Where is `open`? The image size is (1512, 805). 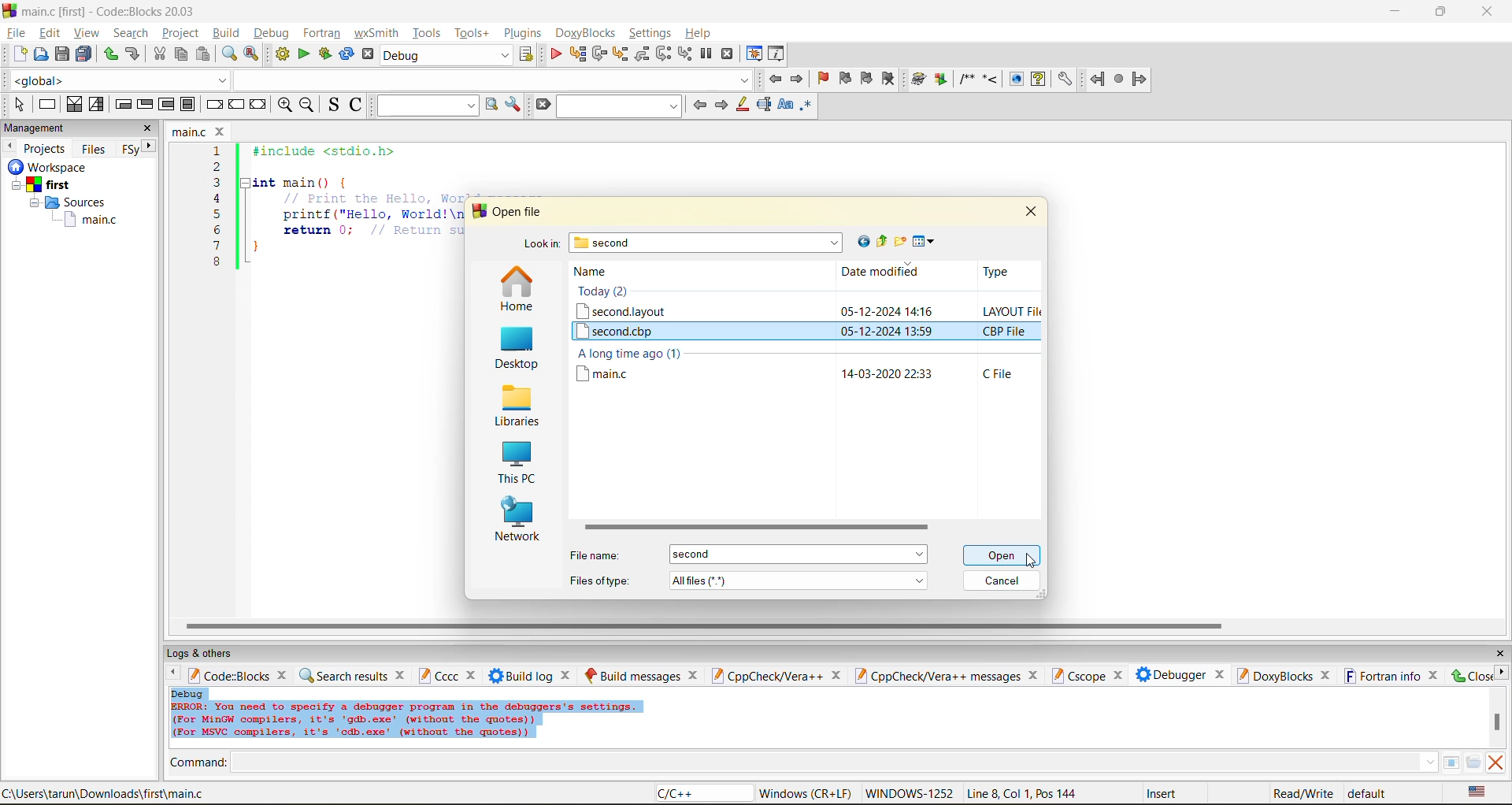
open is located at coordinates (1004, 555).